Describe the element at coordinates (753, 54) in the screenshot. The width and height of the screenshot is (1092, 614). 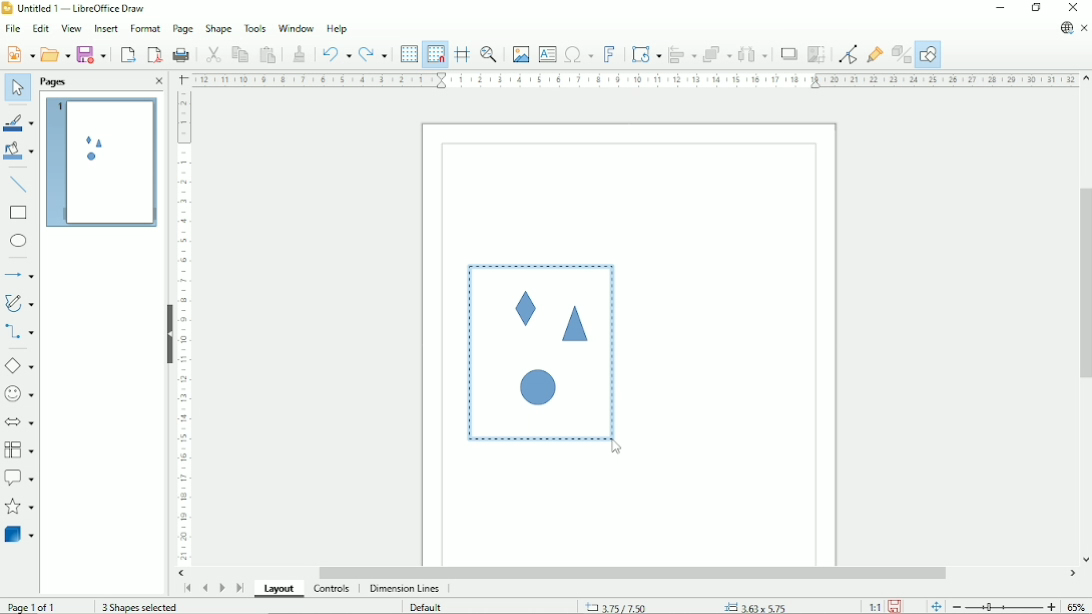
I see `Distribute` at that location.